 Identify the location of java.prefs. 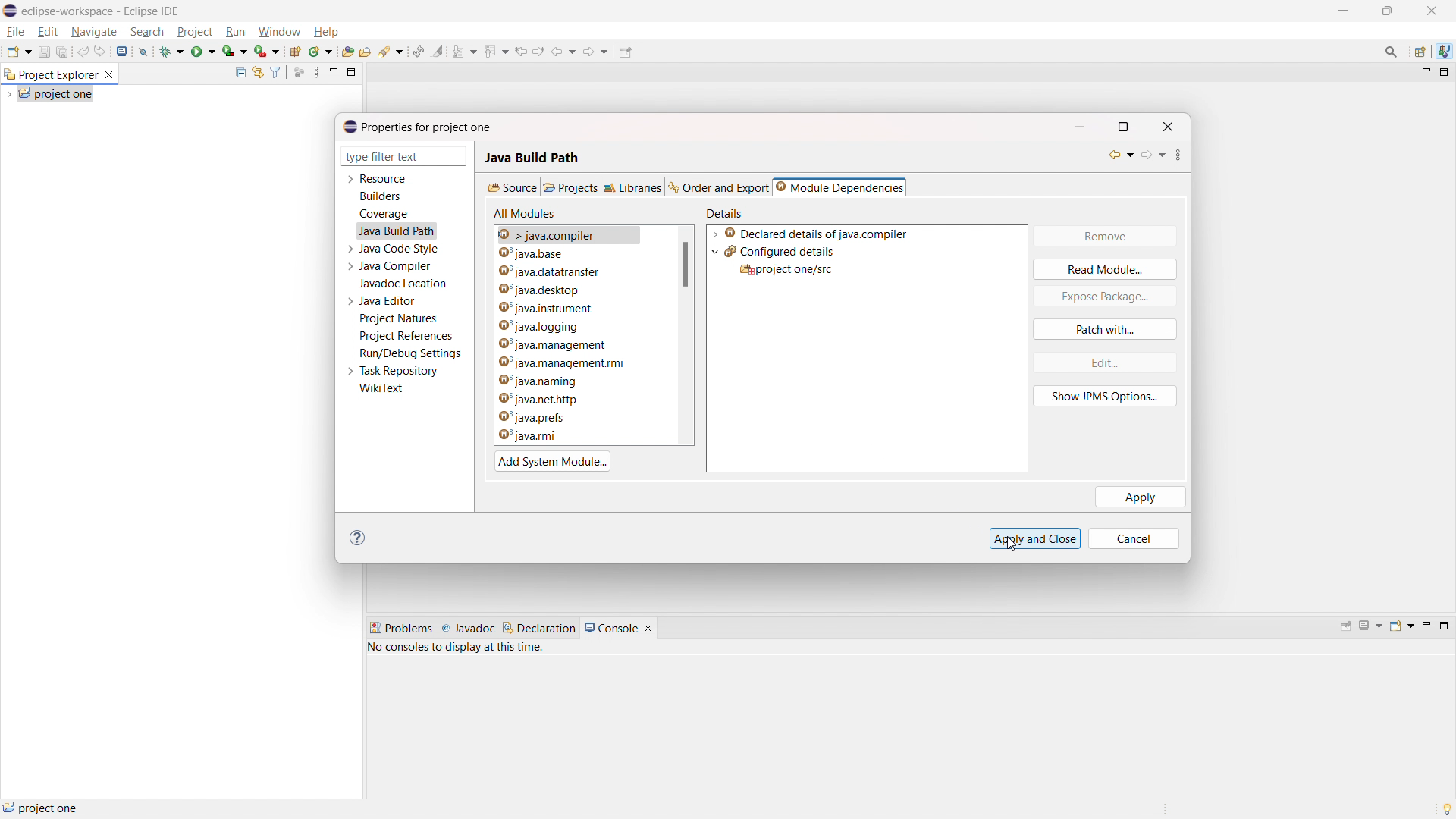
(555, 418).